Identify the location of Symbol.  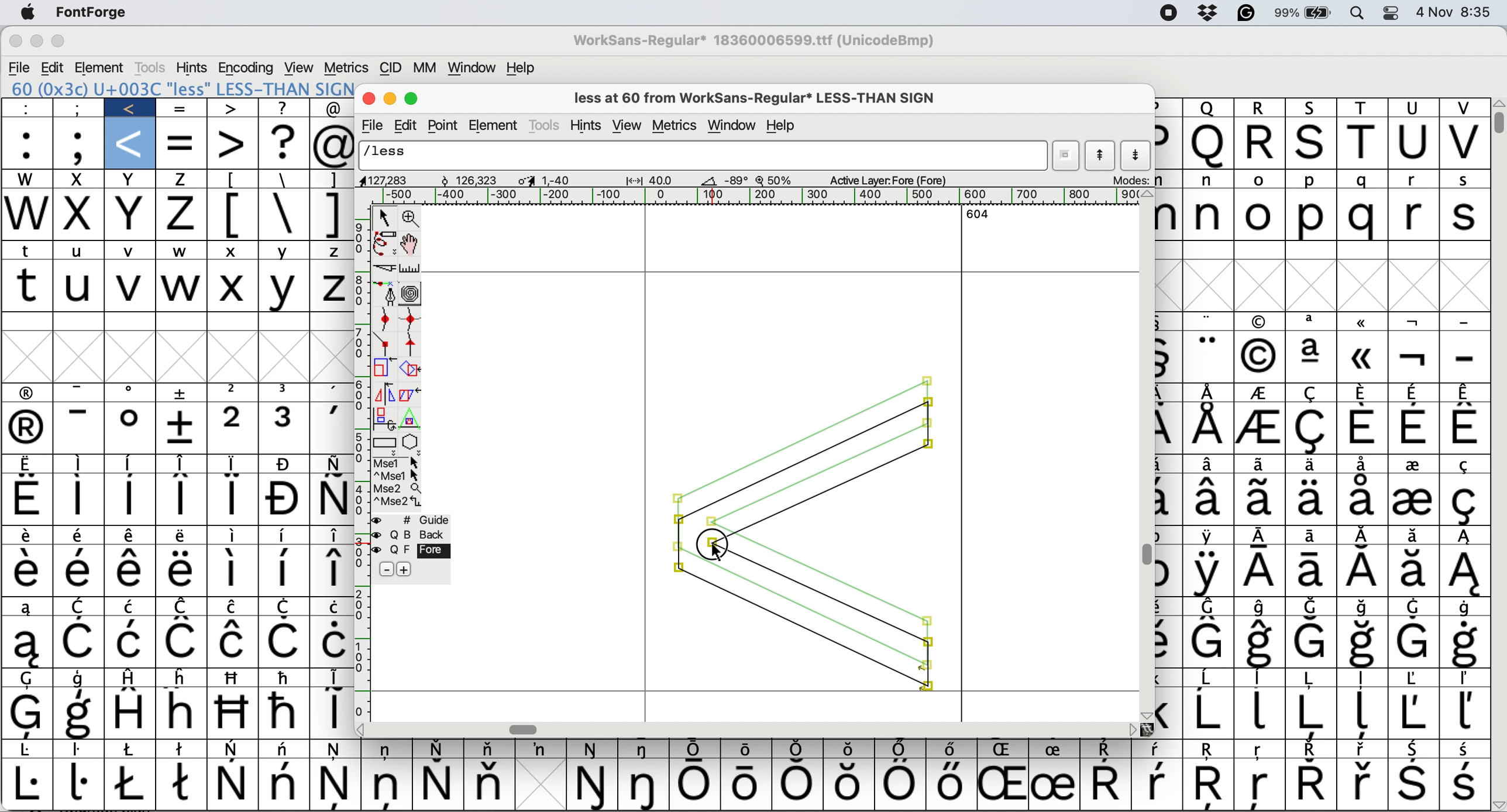
(1169, 429).